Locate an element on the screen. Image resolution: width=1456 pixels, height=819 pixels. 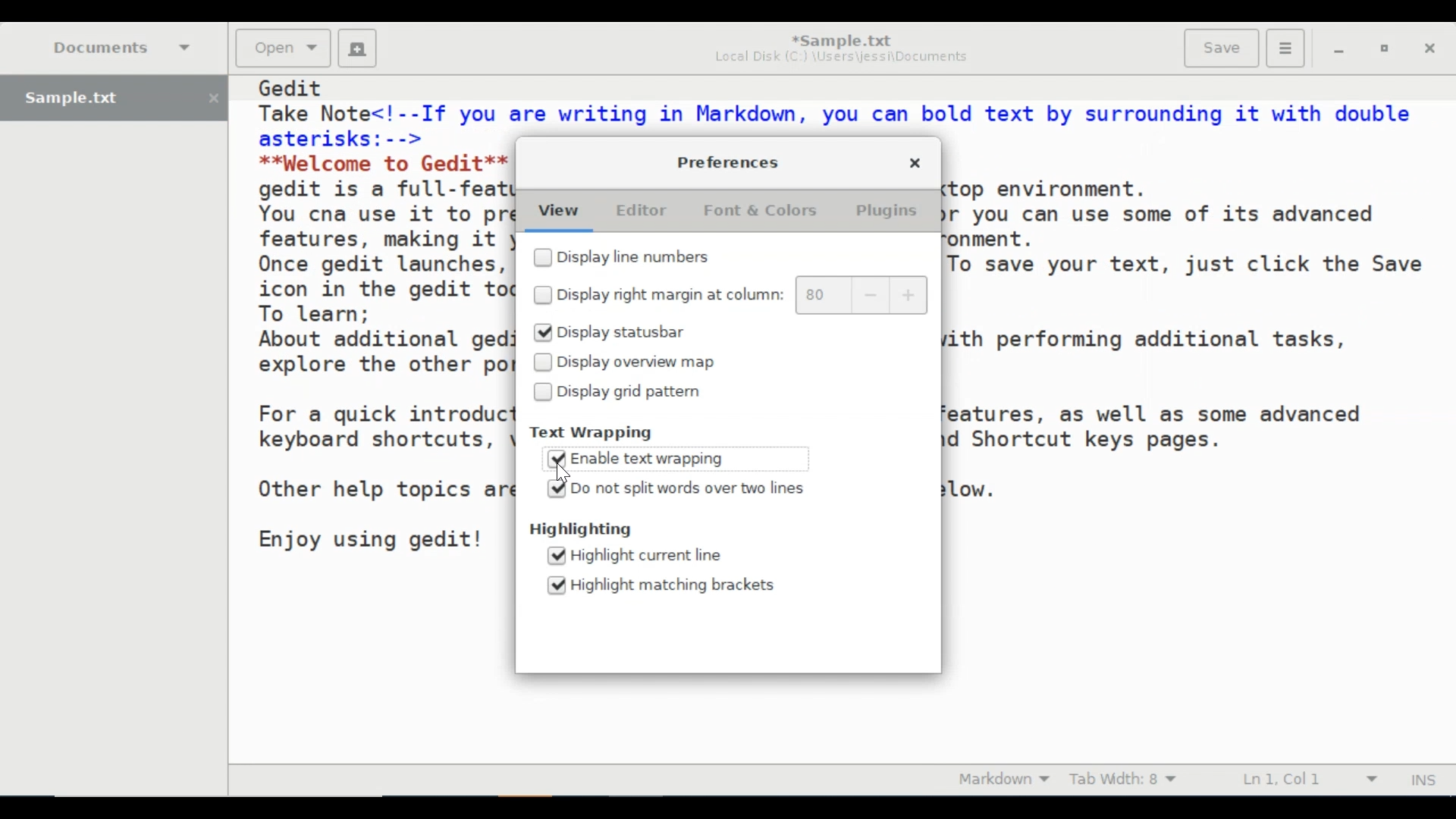
Preferences is located at coordinates (727, 163).